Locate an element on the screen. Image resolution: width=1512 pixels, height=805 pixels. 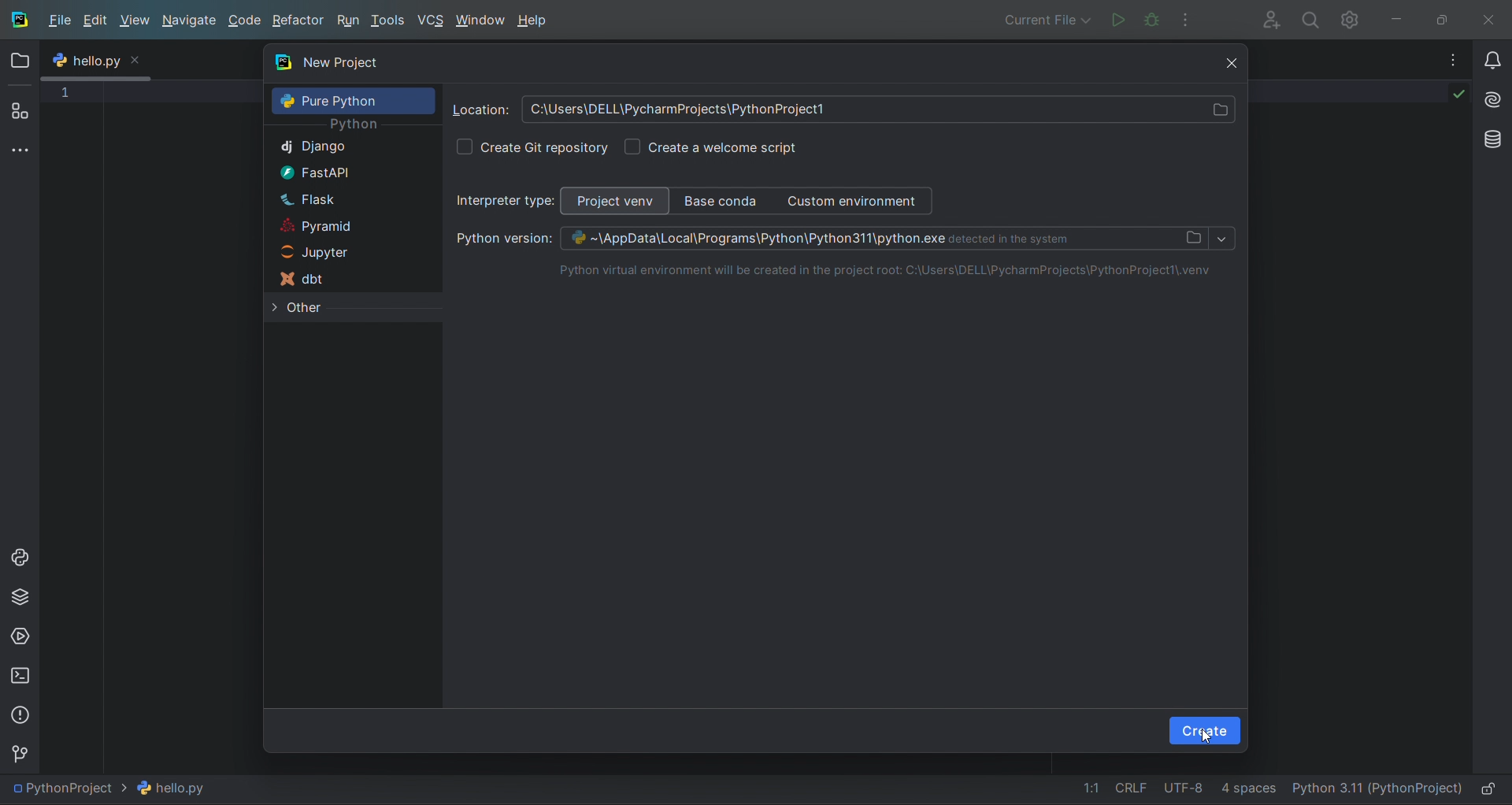
create is located at coordinates (1205, 732).